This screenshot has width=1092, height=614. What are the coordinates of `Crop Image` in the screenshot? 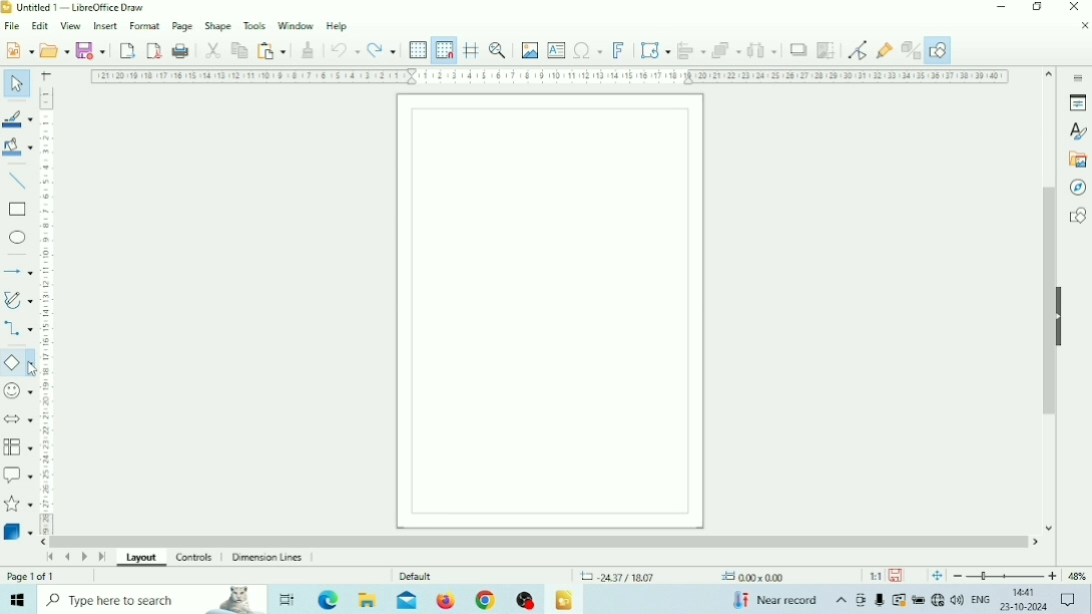 It's located at (825, 50).